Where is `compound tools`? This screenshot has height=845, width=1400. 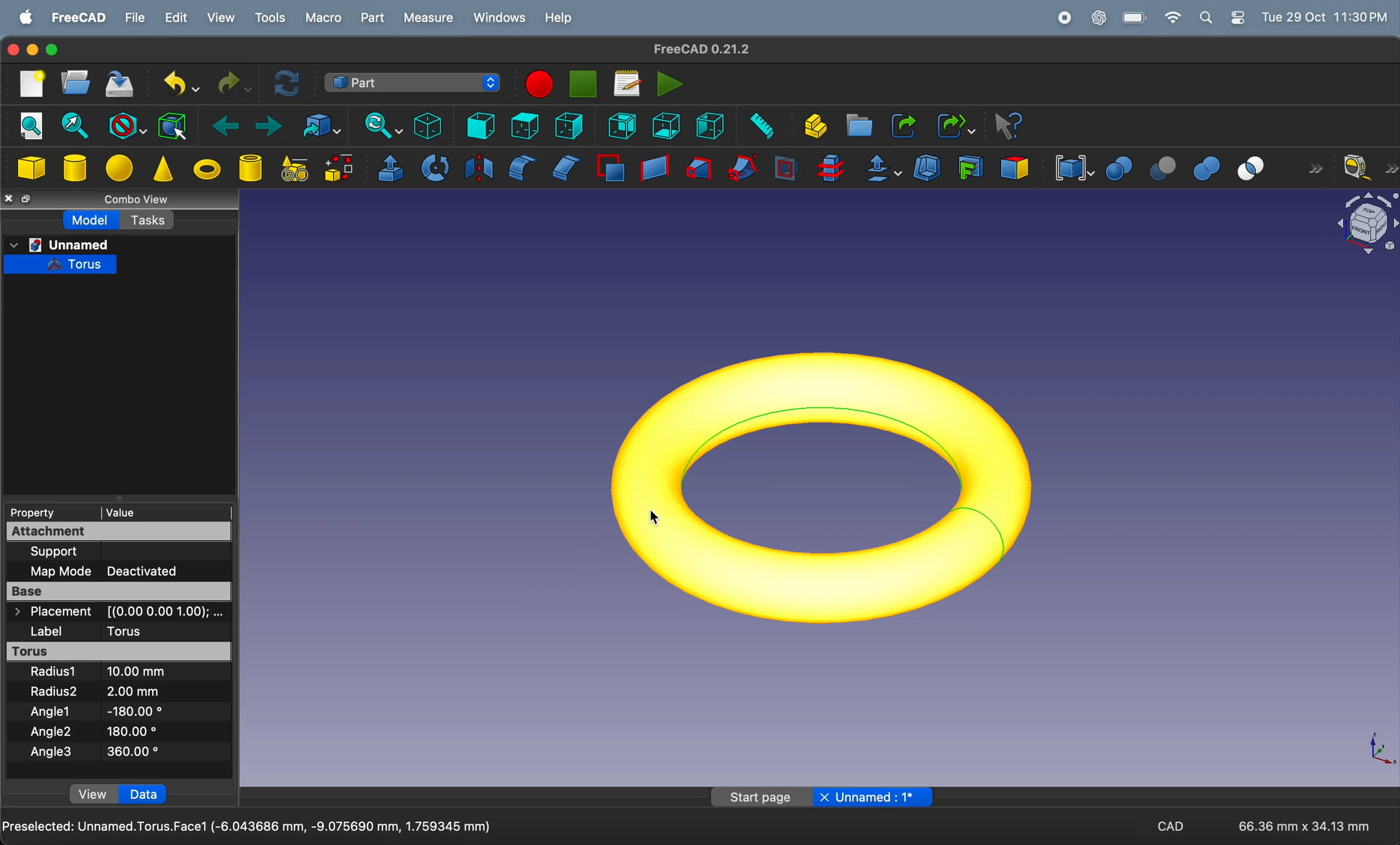
compound tools is located at coordinates (1070, 167).